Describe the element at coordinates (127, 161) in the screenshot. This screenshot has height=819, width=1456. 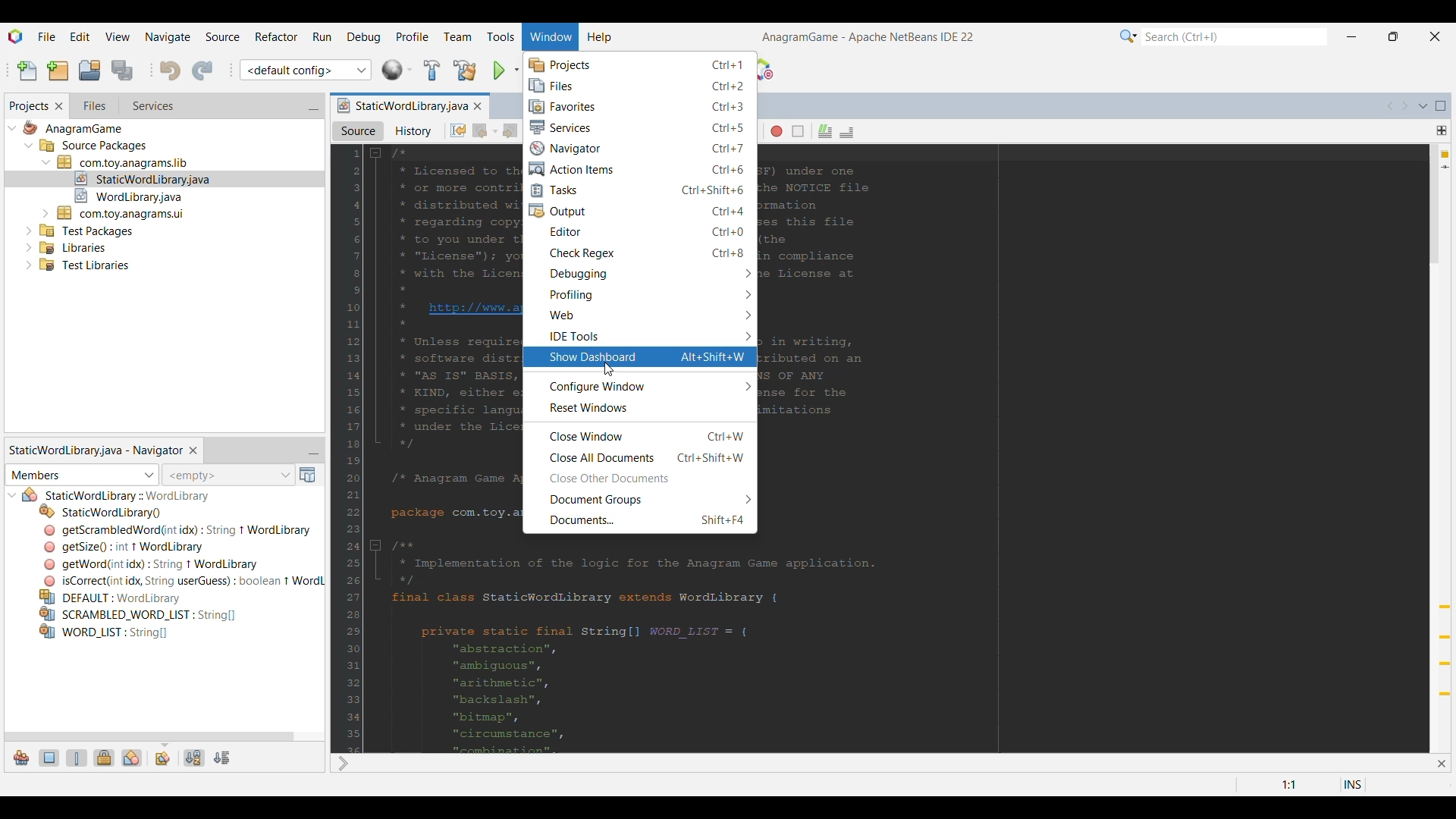
I see `` at that location.